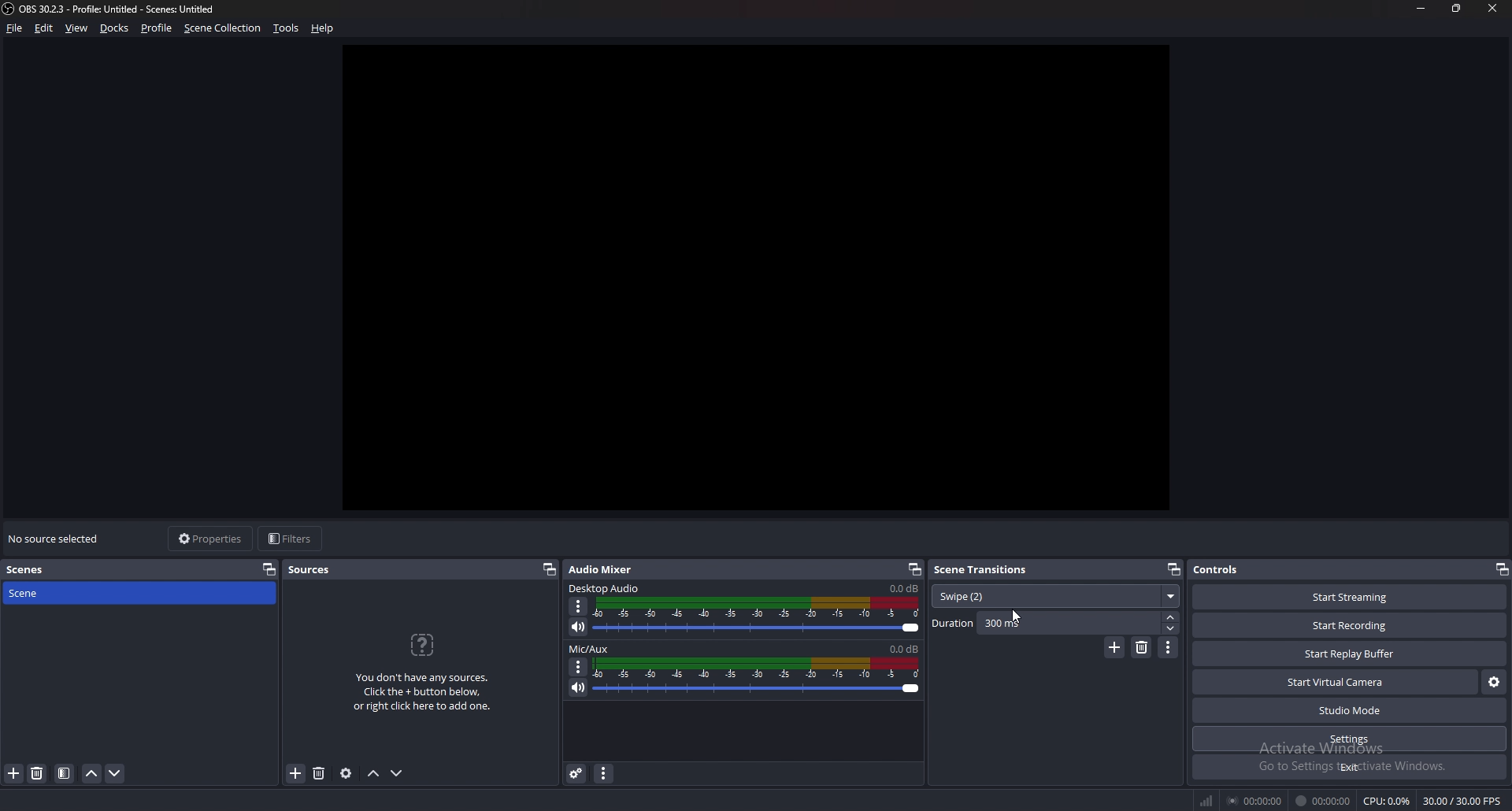  Describe the element at coordinates (1489, 7) in the screenshot. I see `close` at that location.